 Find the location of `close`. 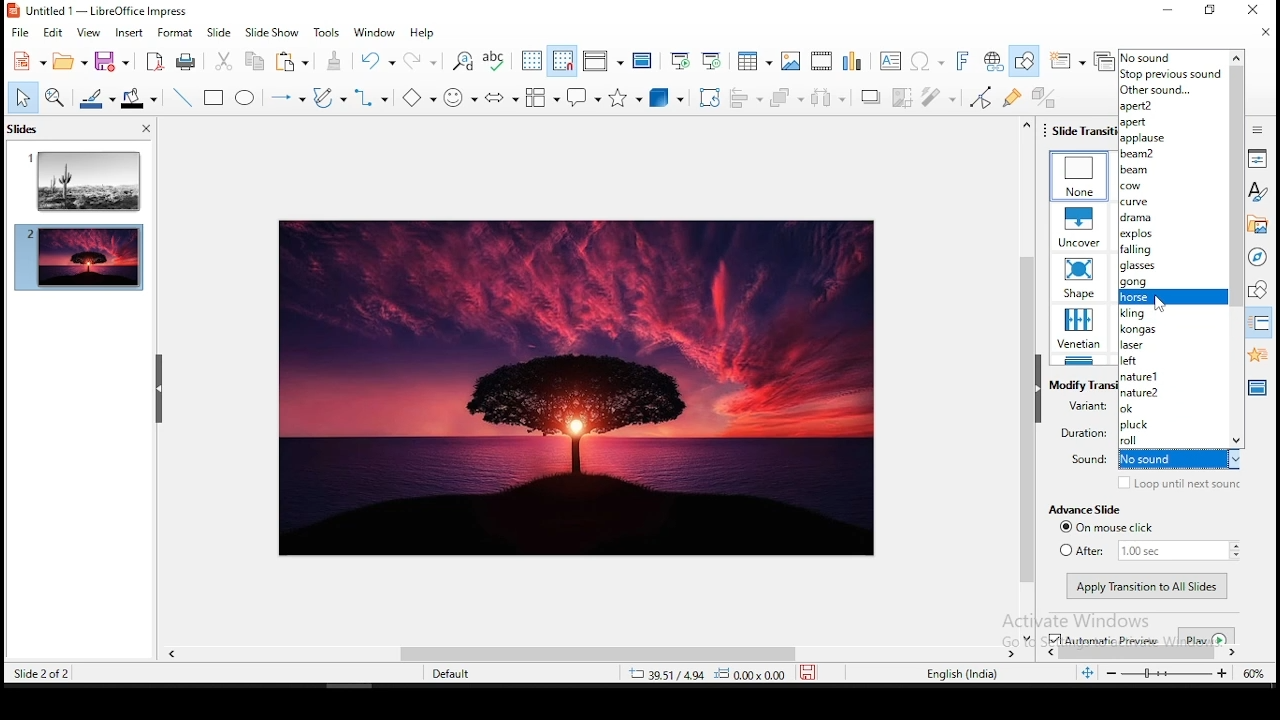

close is located at coordinates (146, 128).